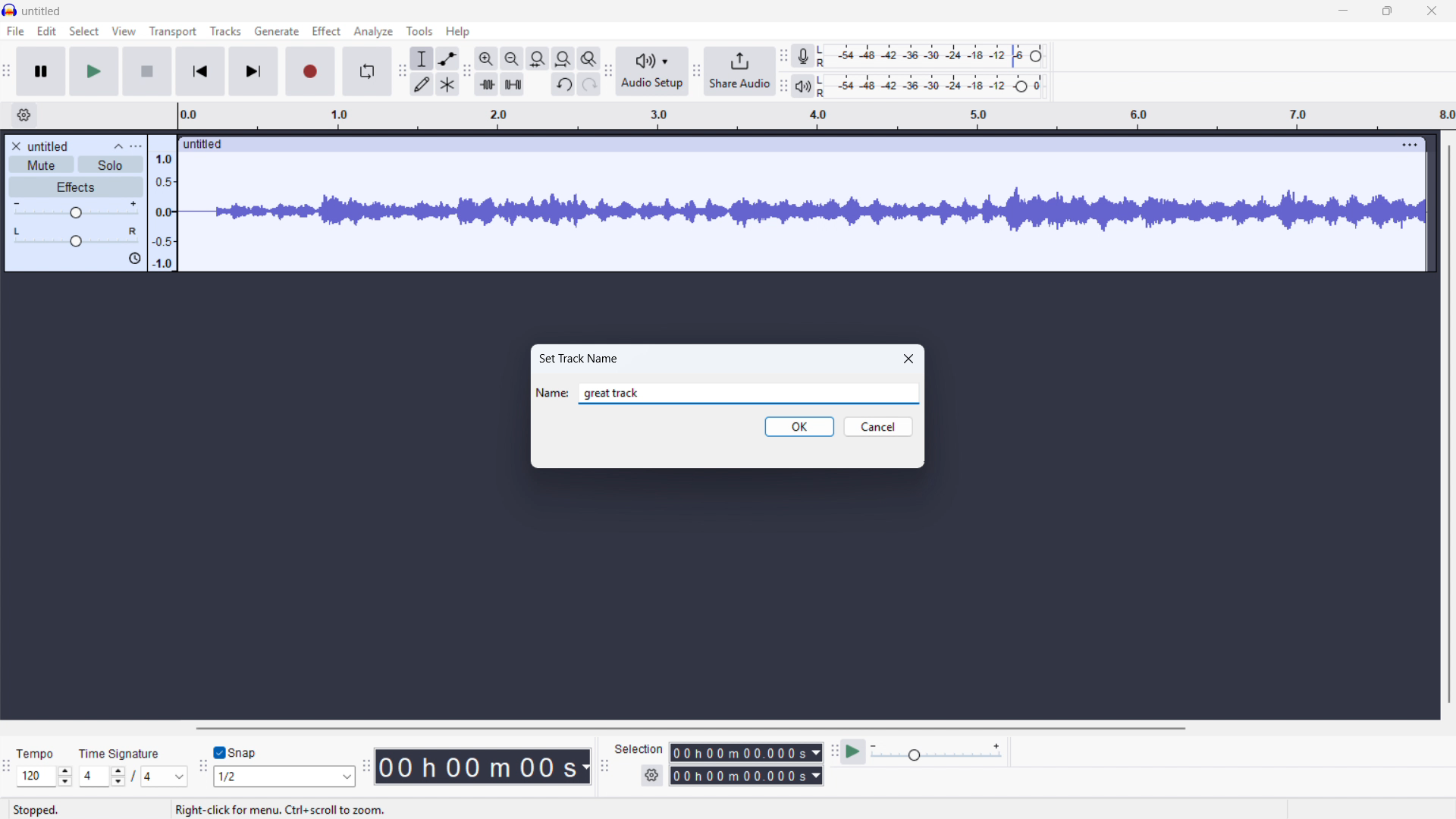  Describe the element at coordinates (95, 72) in the screenshot. I see `play ` at that location.